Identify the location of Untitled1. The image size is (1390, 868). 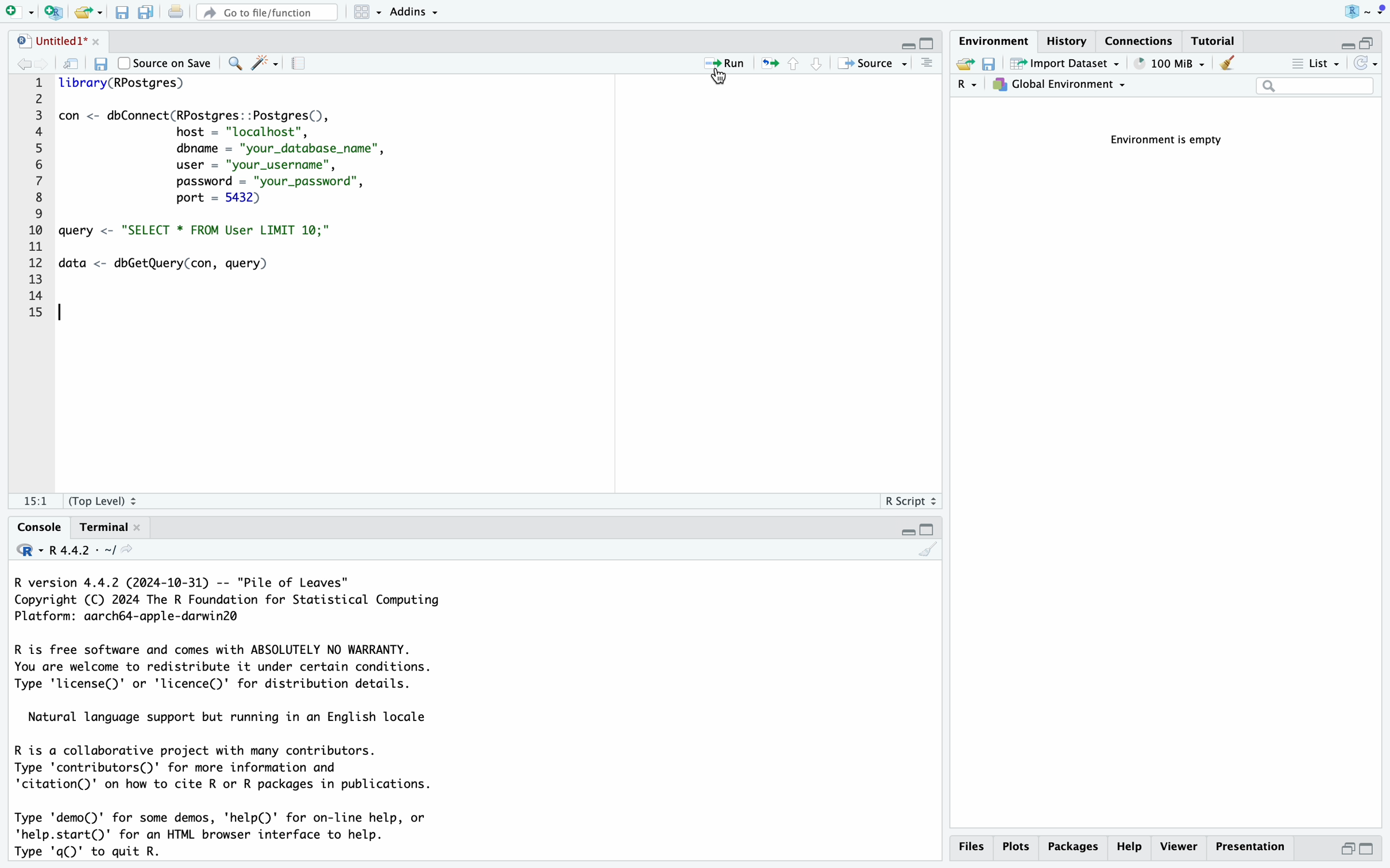
(41, 39).